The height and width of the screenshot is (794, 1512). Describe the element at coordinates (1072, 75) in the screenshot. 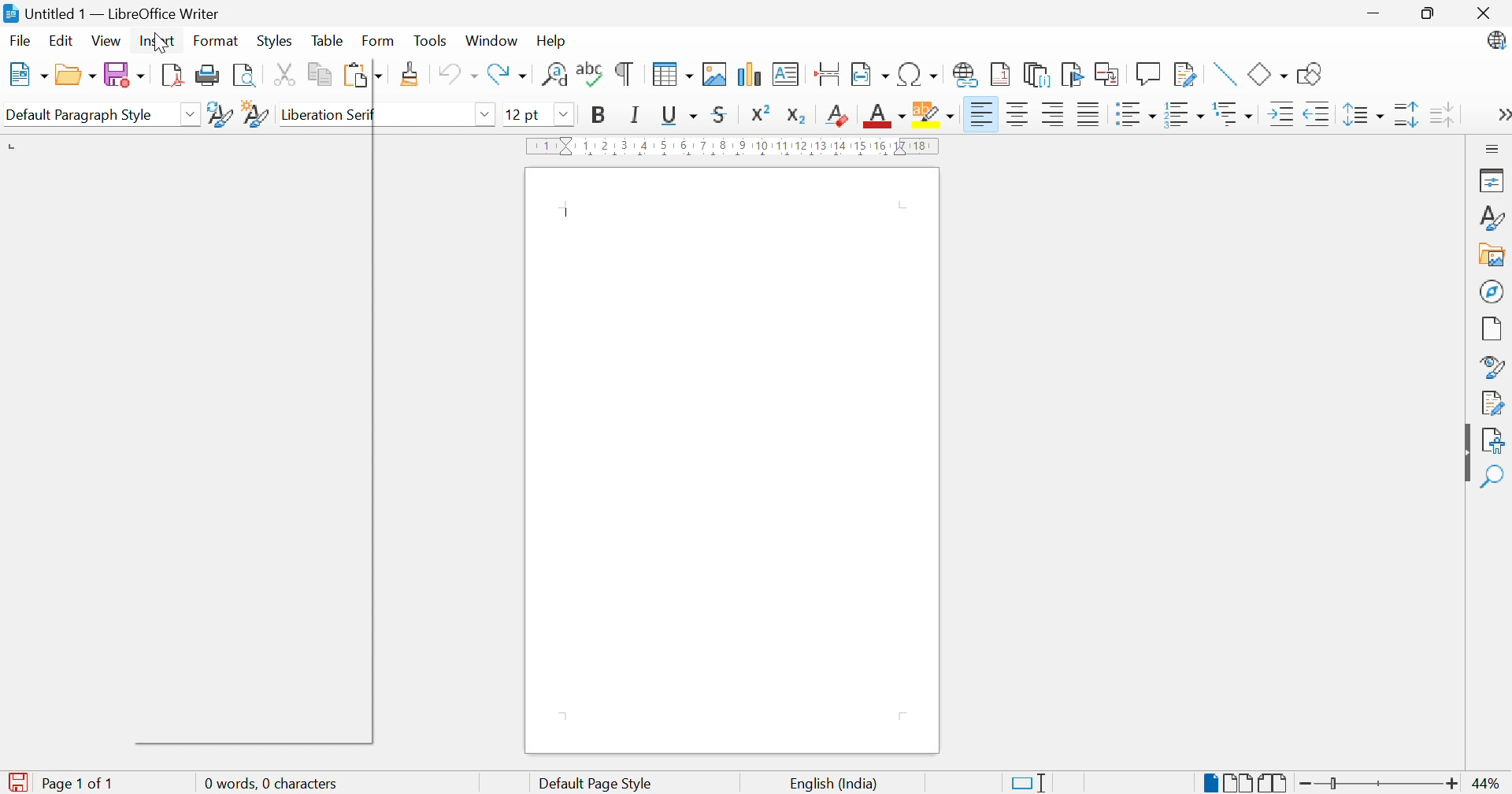

I see `Insert bookmark` at that location.